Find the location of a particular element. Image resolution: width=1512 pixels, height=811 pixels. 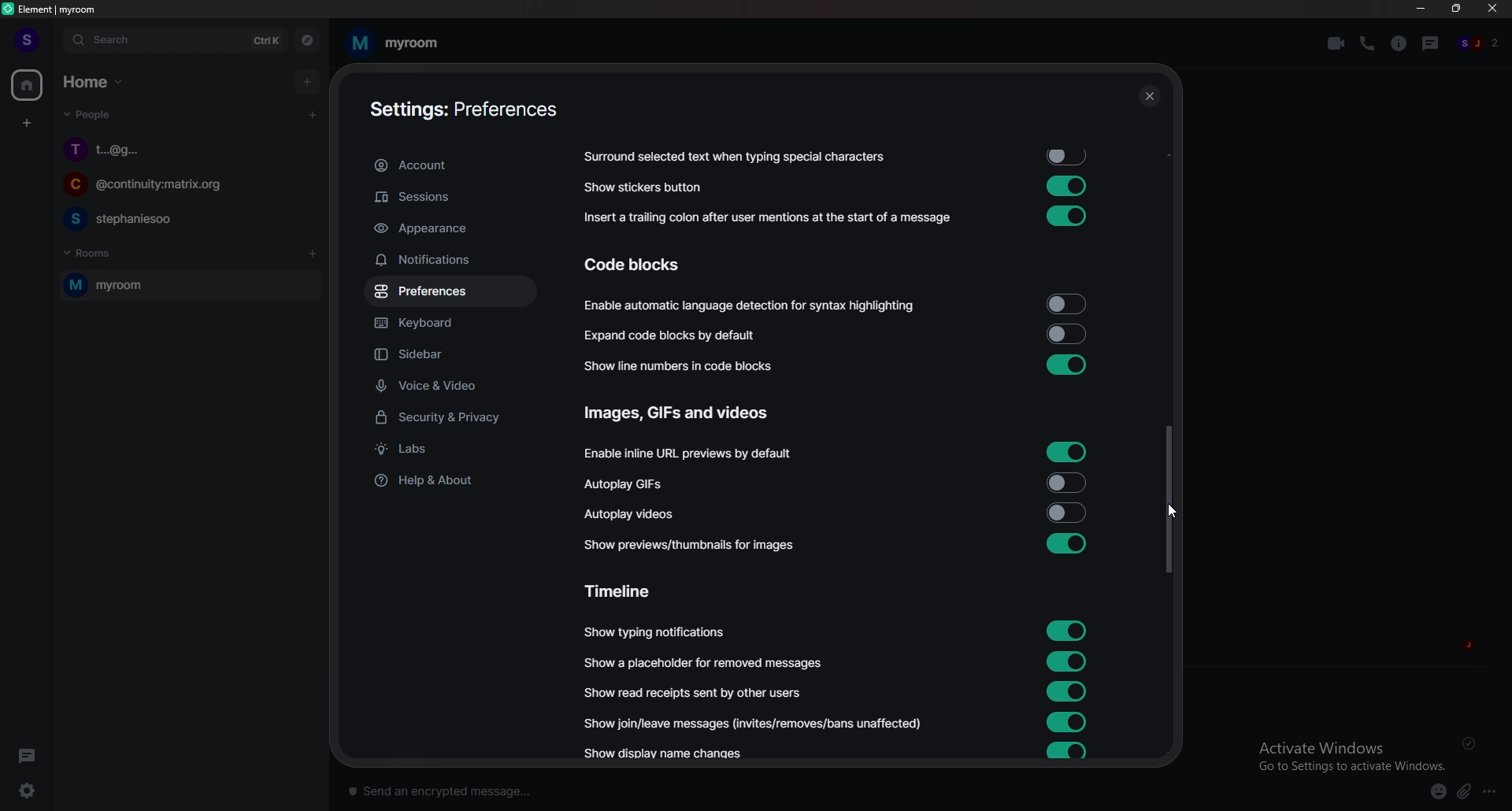

attachments is located at coordinates (1467, 792).